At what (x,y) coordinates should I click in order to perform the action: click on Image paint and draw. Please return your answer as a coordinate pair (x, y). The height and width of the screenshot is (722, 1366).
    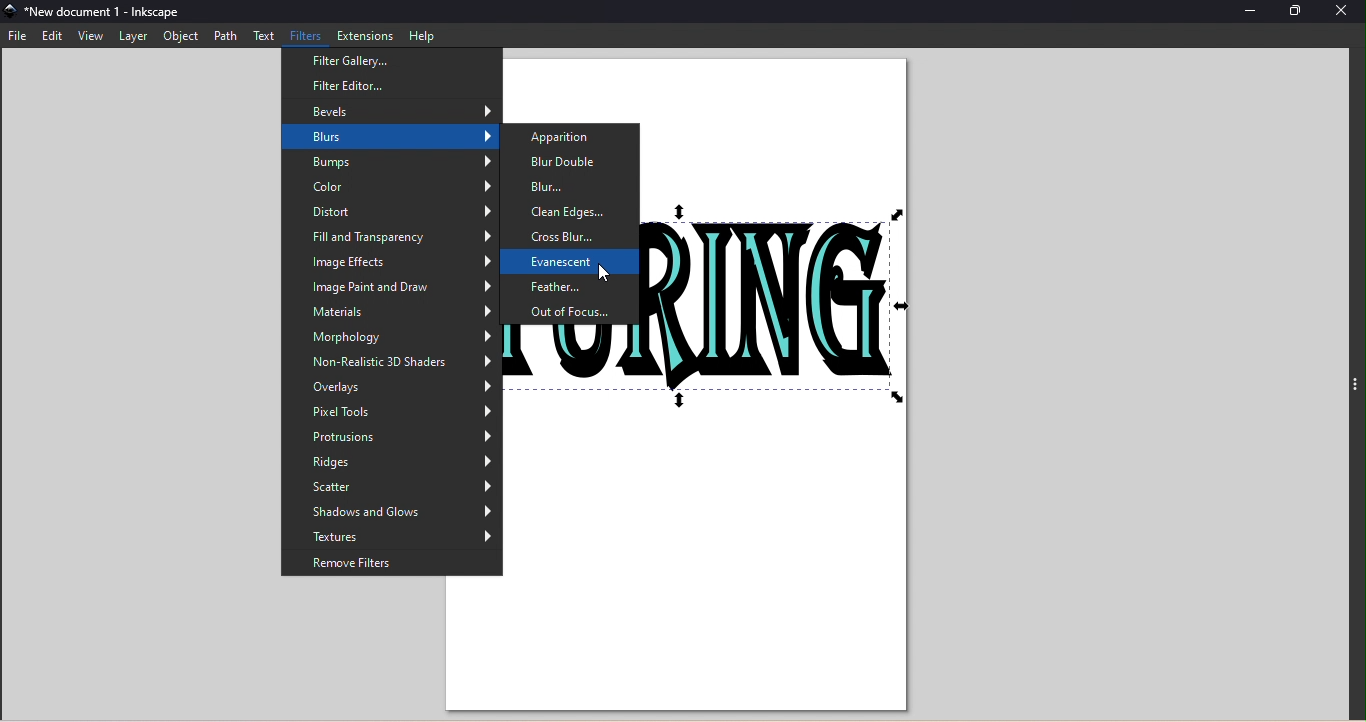
    Looking at the image, I should click on (391, 286).